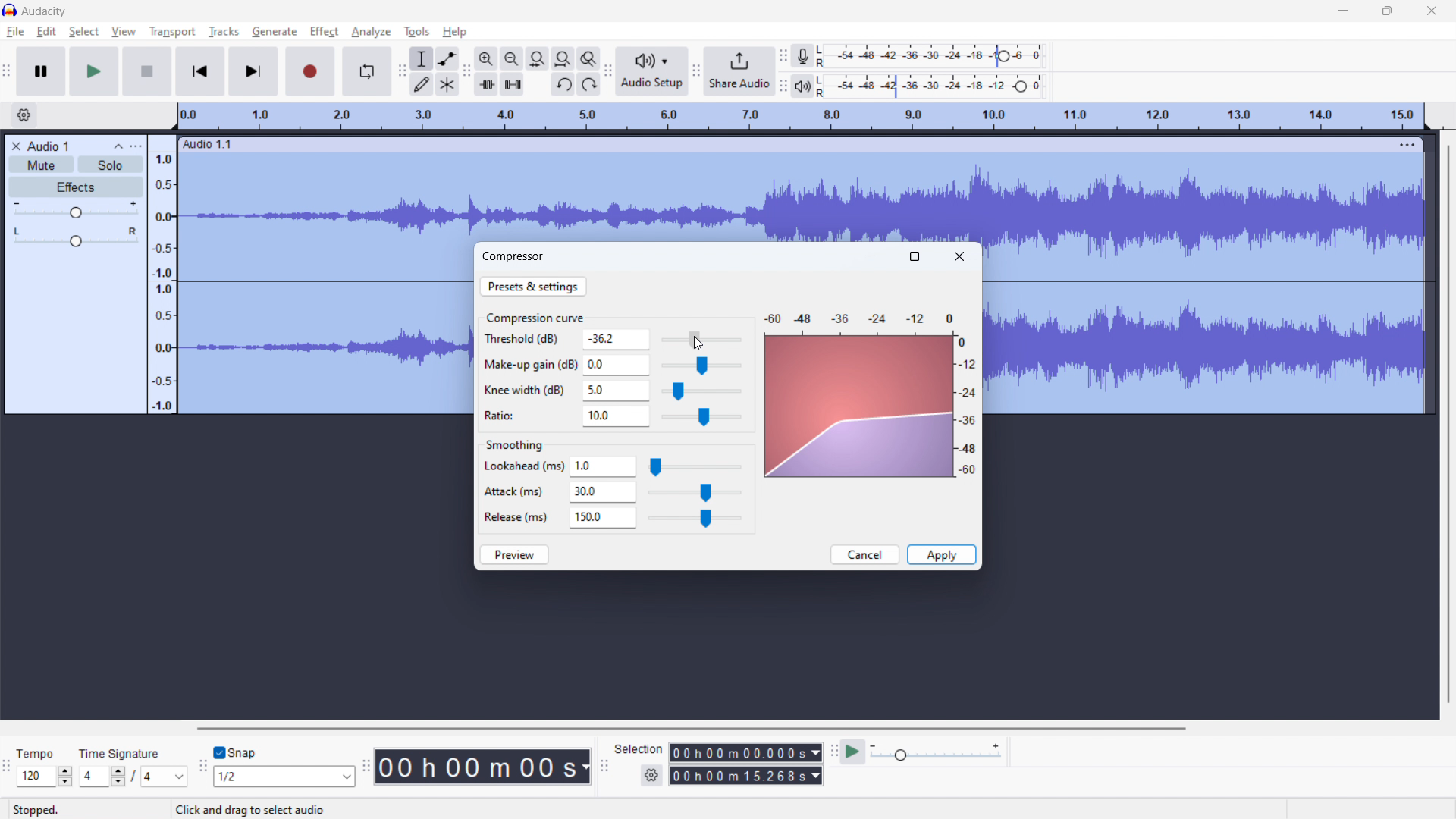  I want to click on 150.0, so click(603, 518).